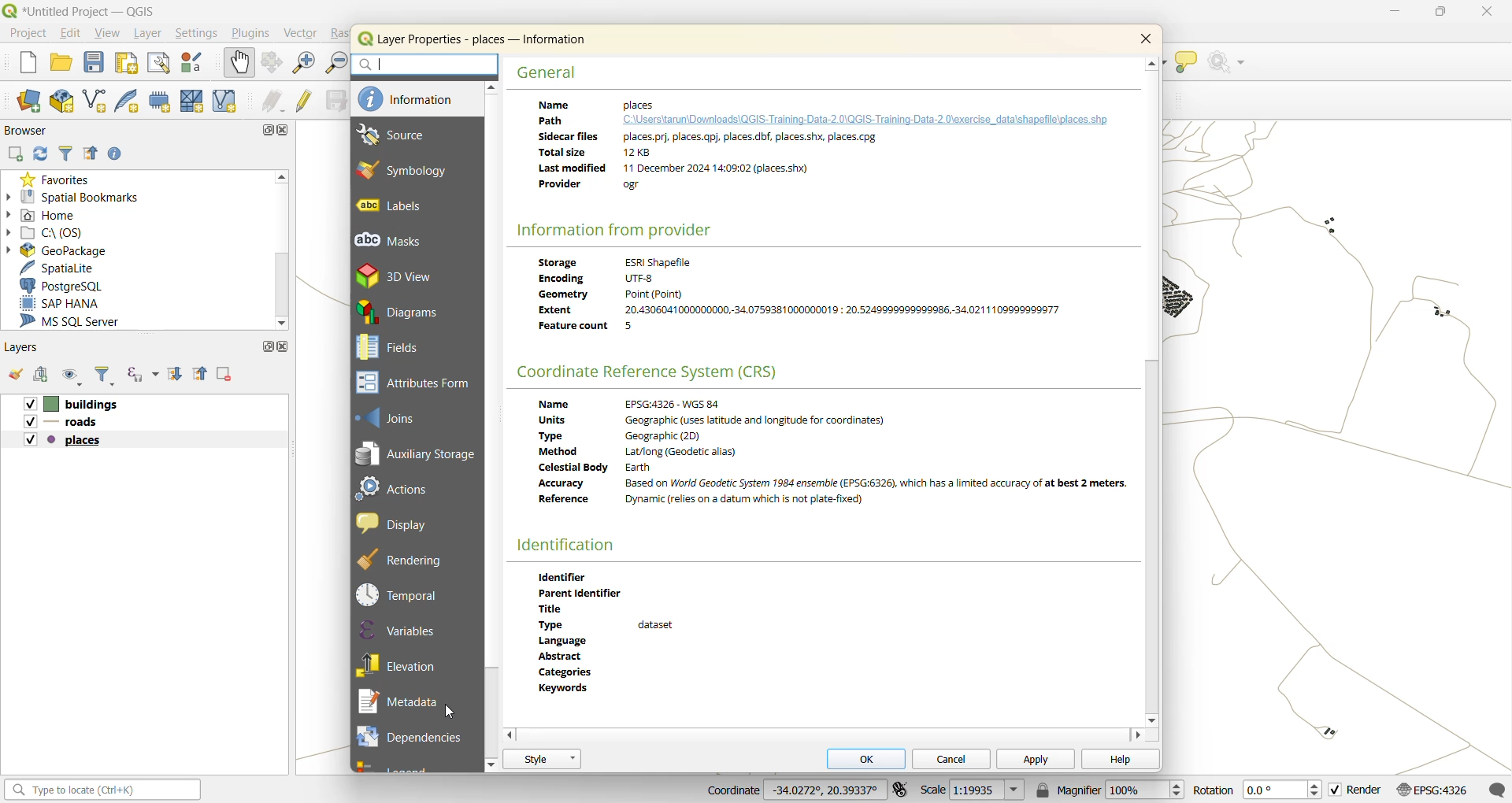 Image resolution: width=1512 pixels, height=803 pixels. What do you see at coordinates (89, 154) in the screenshot?
I see `collapse all` at bounding box center [89, 154].